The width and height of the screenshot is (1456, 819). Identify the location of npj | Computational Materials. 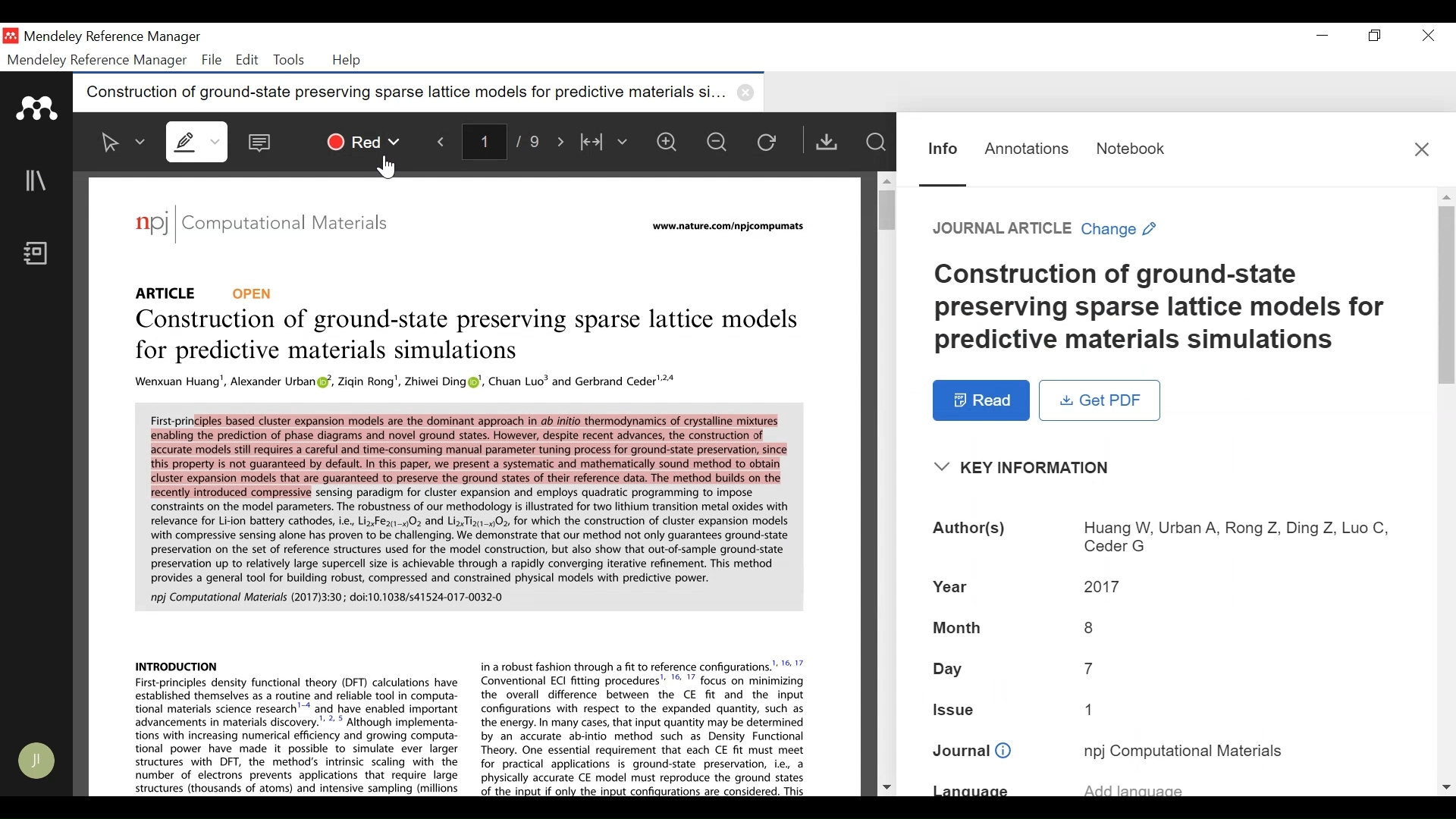
(262, 225).